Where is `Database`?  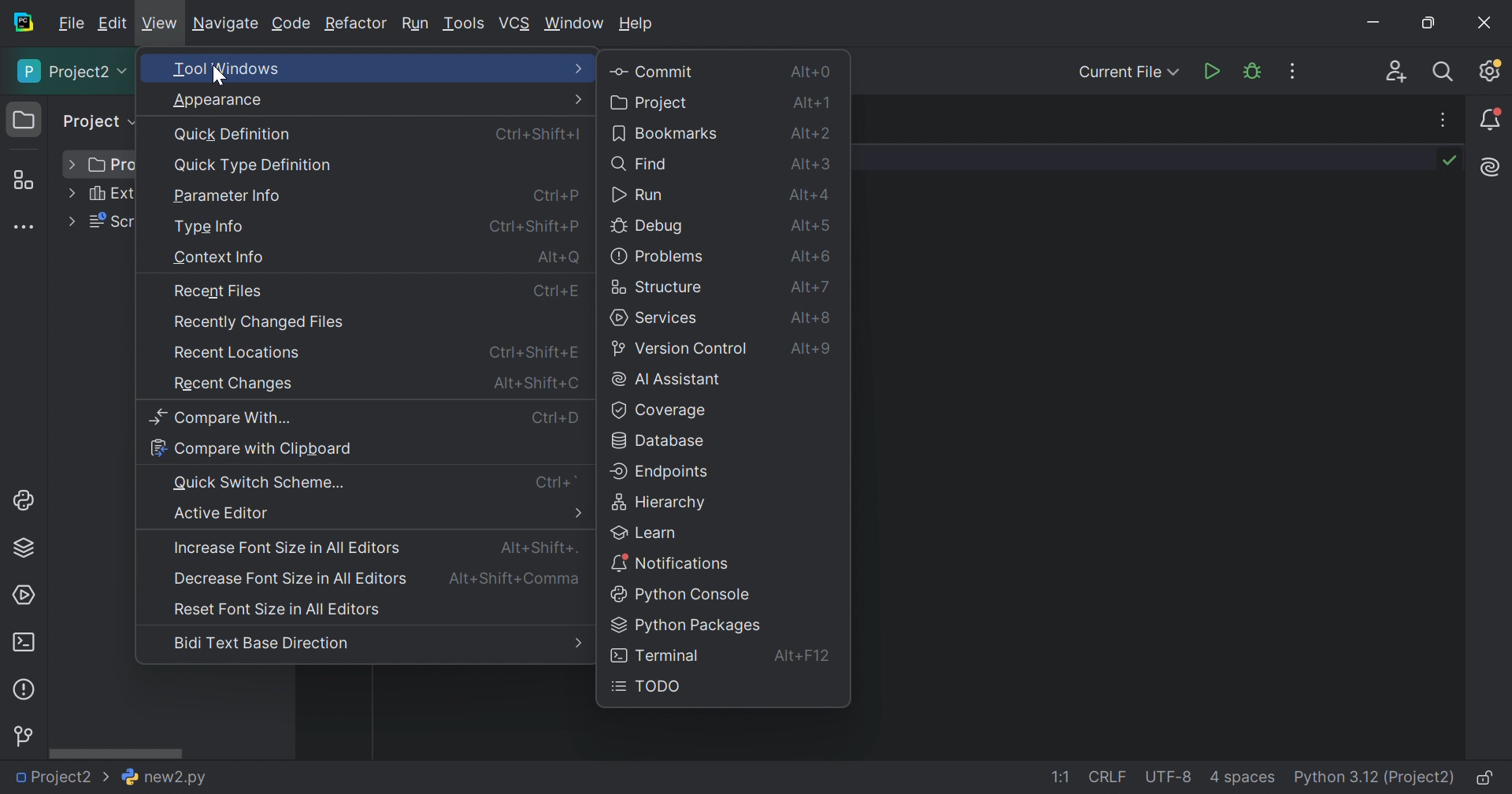
Database is located at coordinates (664, 443).